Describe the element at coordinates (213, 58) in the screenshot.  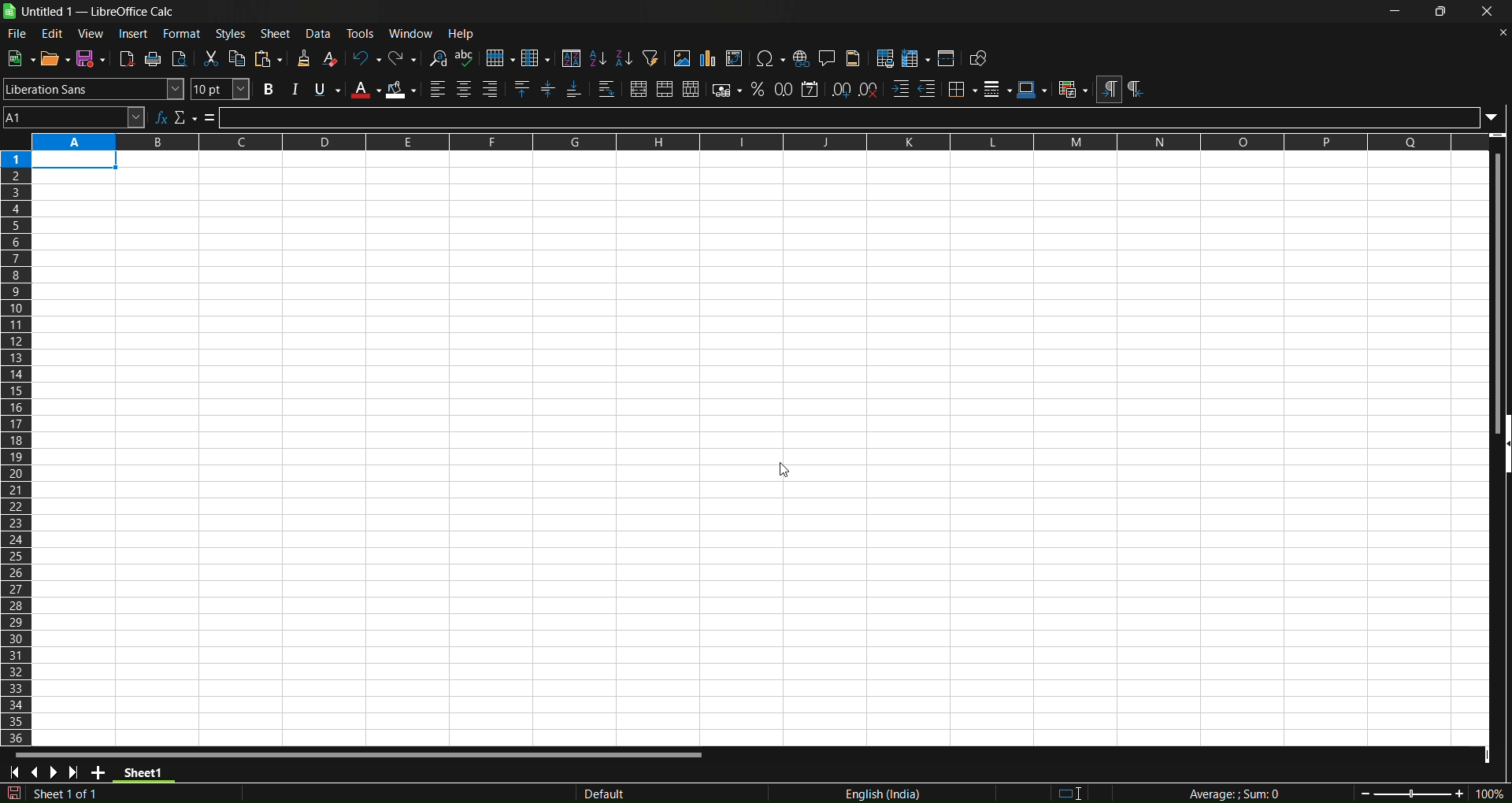
I see `cut` at that location.